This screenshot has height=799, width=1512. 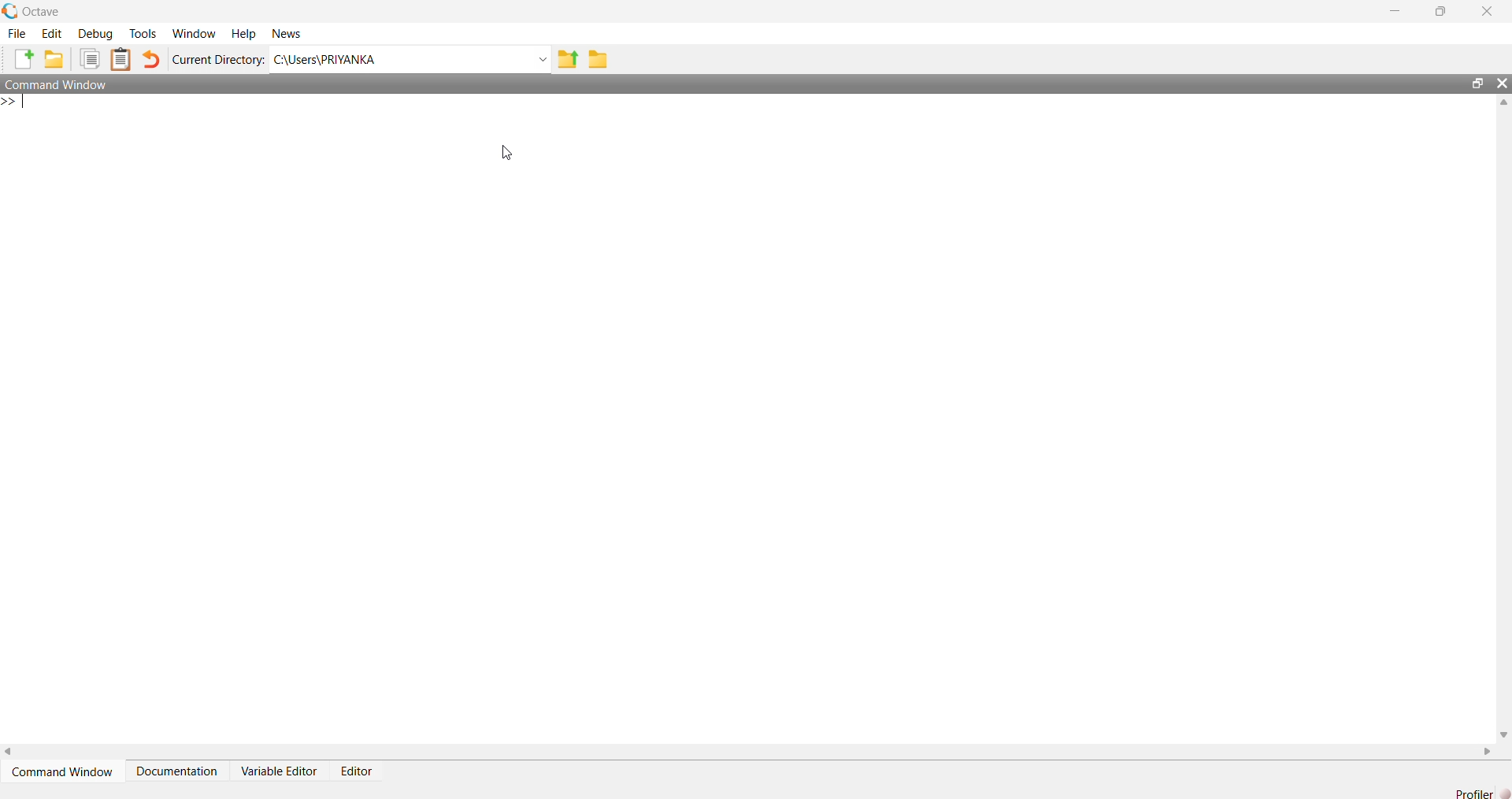 What do you see at coordinates (14, 750) in the screenshot?
I see `Left` at bounding box center [14, 750].